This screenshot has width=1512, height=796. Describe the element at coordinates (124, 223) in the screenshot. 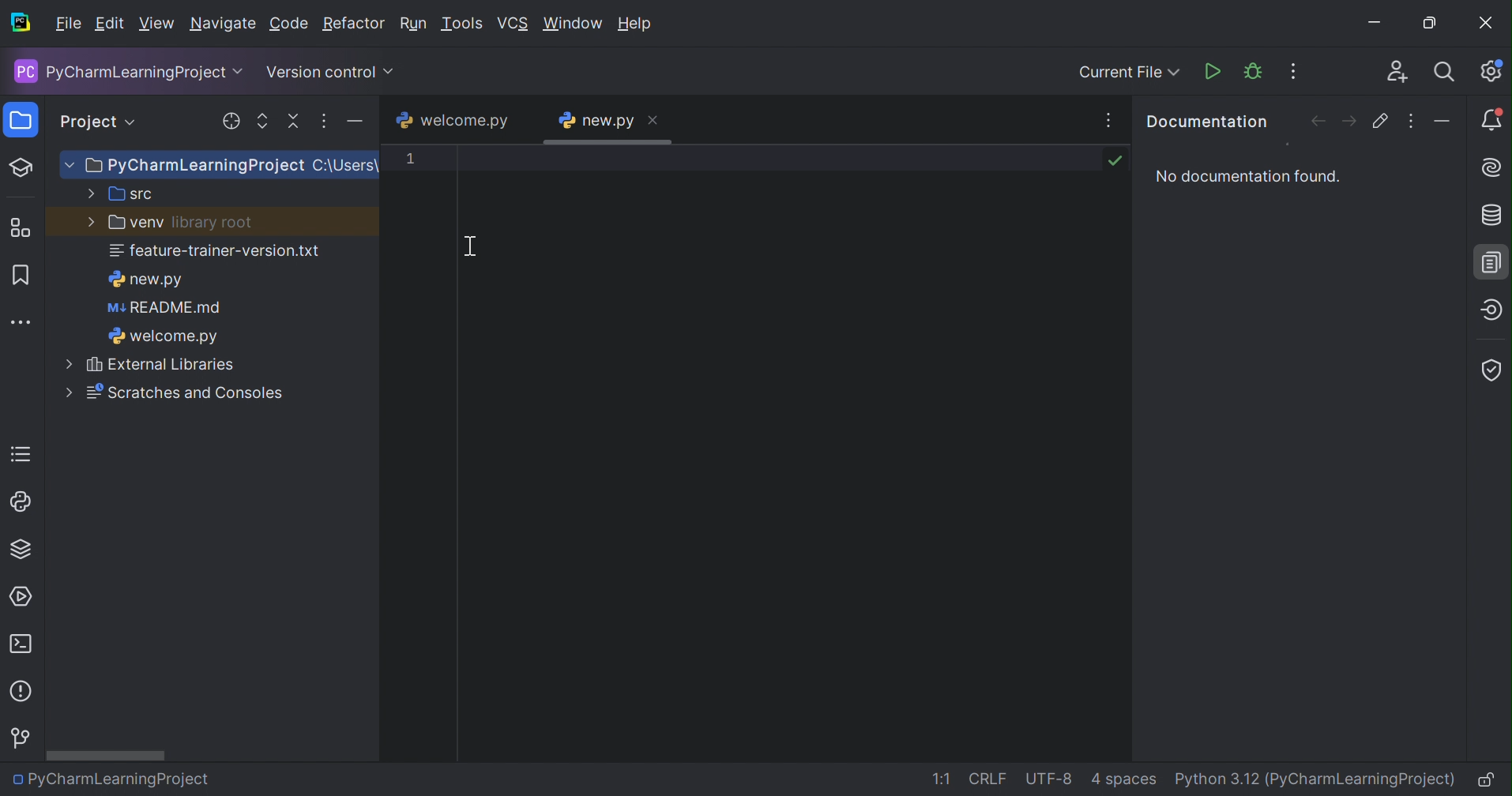

I see `venv` at that location.